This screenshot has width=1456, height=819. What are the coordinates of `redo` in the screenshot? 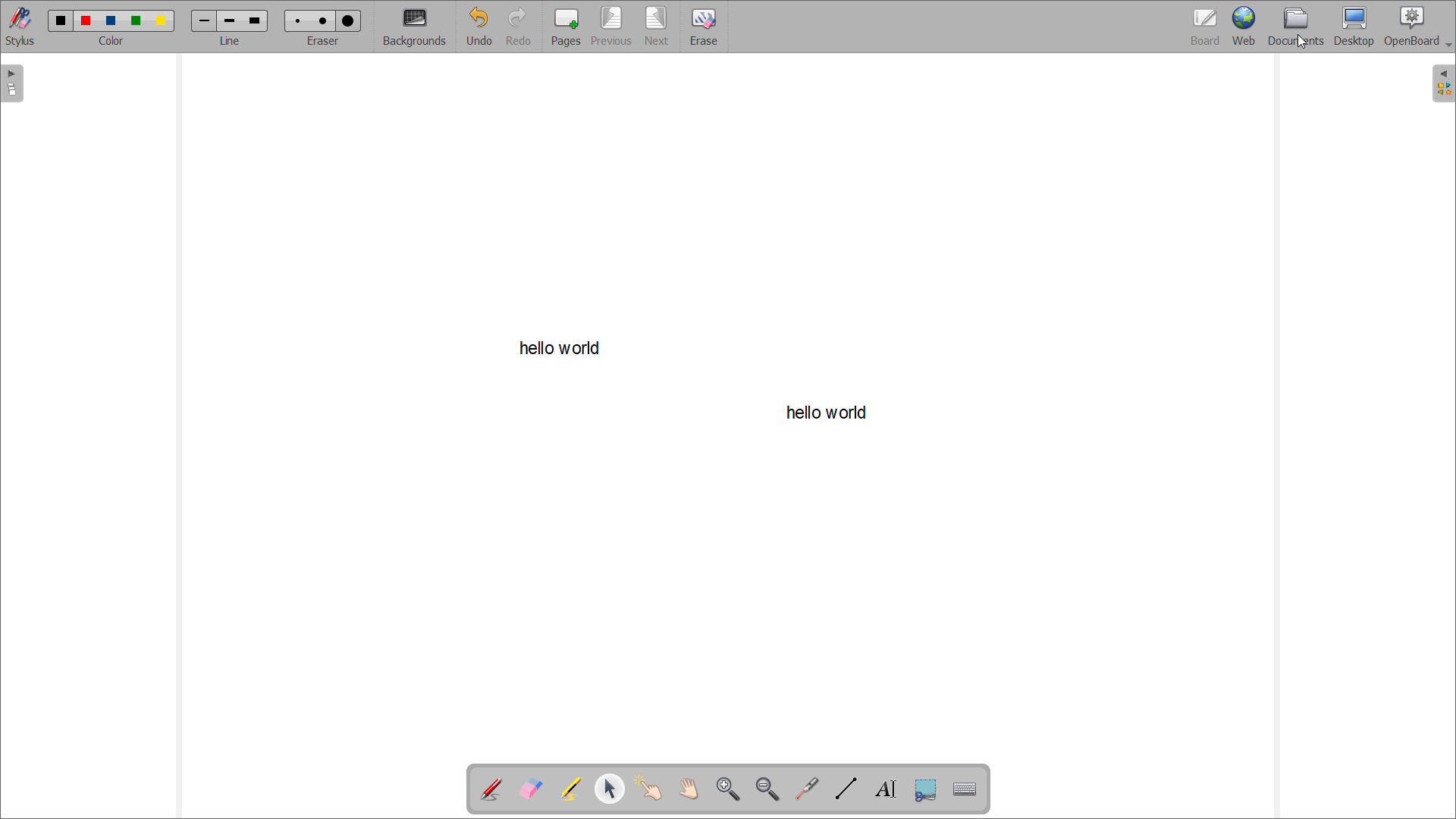 It's located at (519, 26).